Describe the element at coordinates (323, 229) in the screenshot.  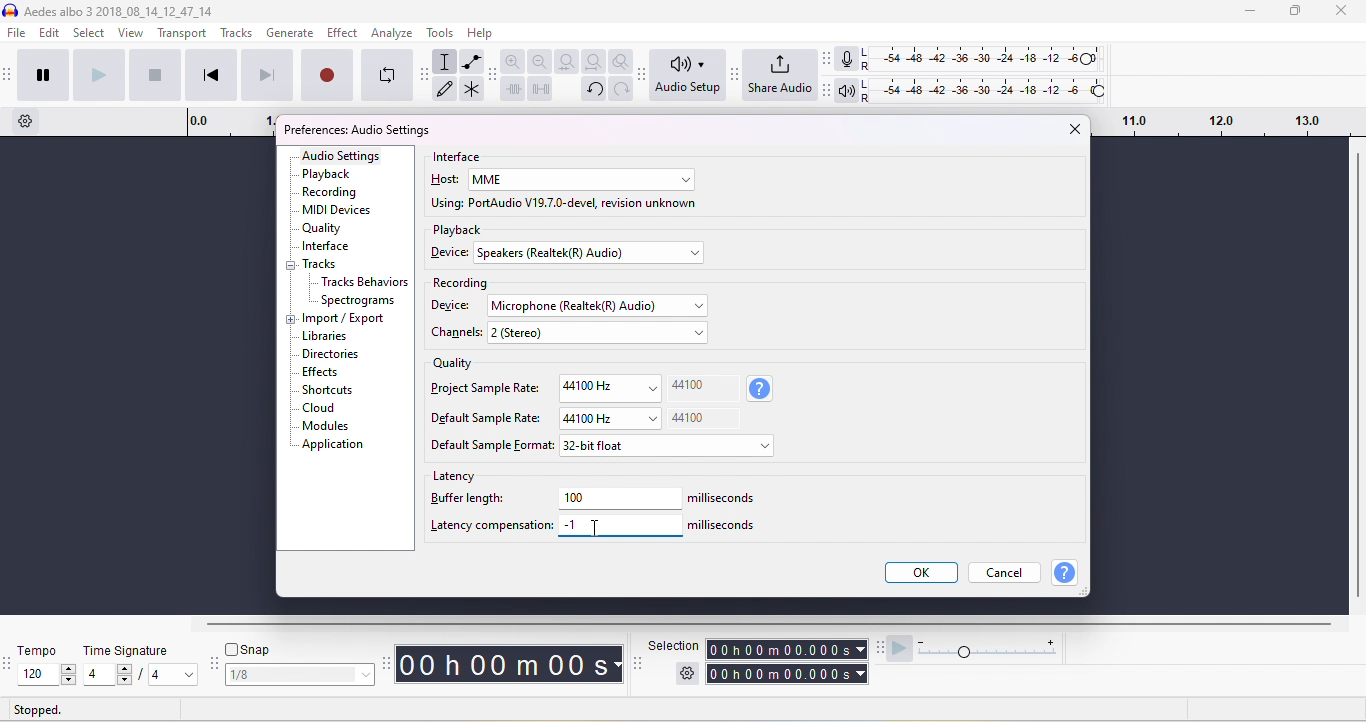
I see `quality` at that location.